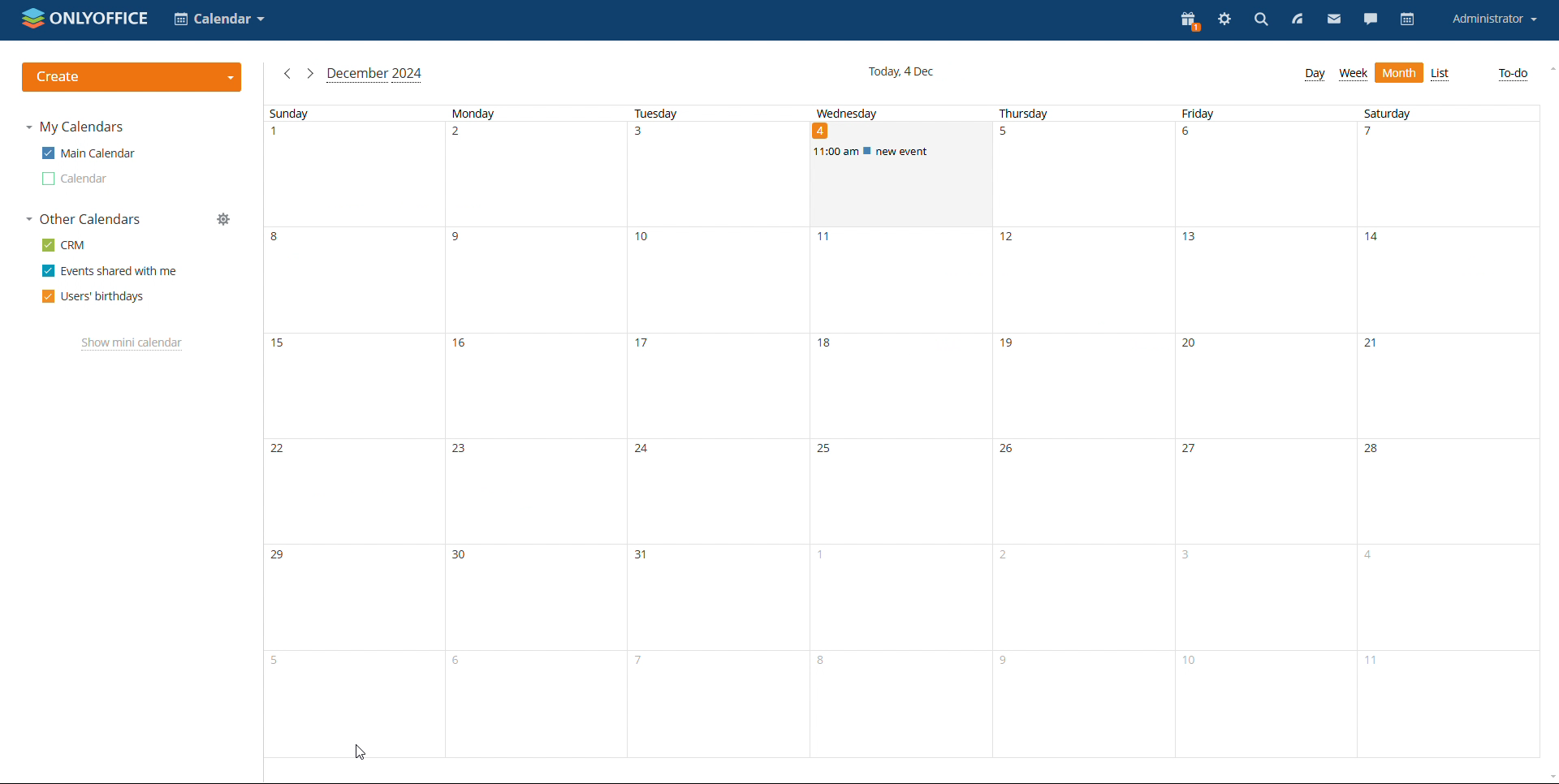 The width and height of the screenshot is (1559, 784). I want to click on next month, so click(310, 74).